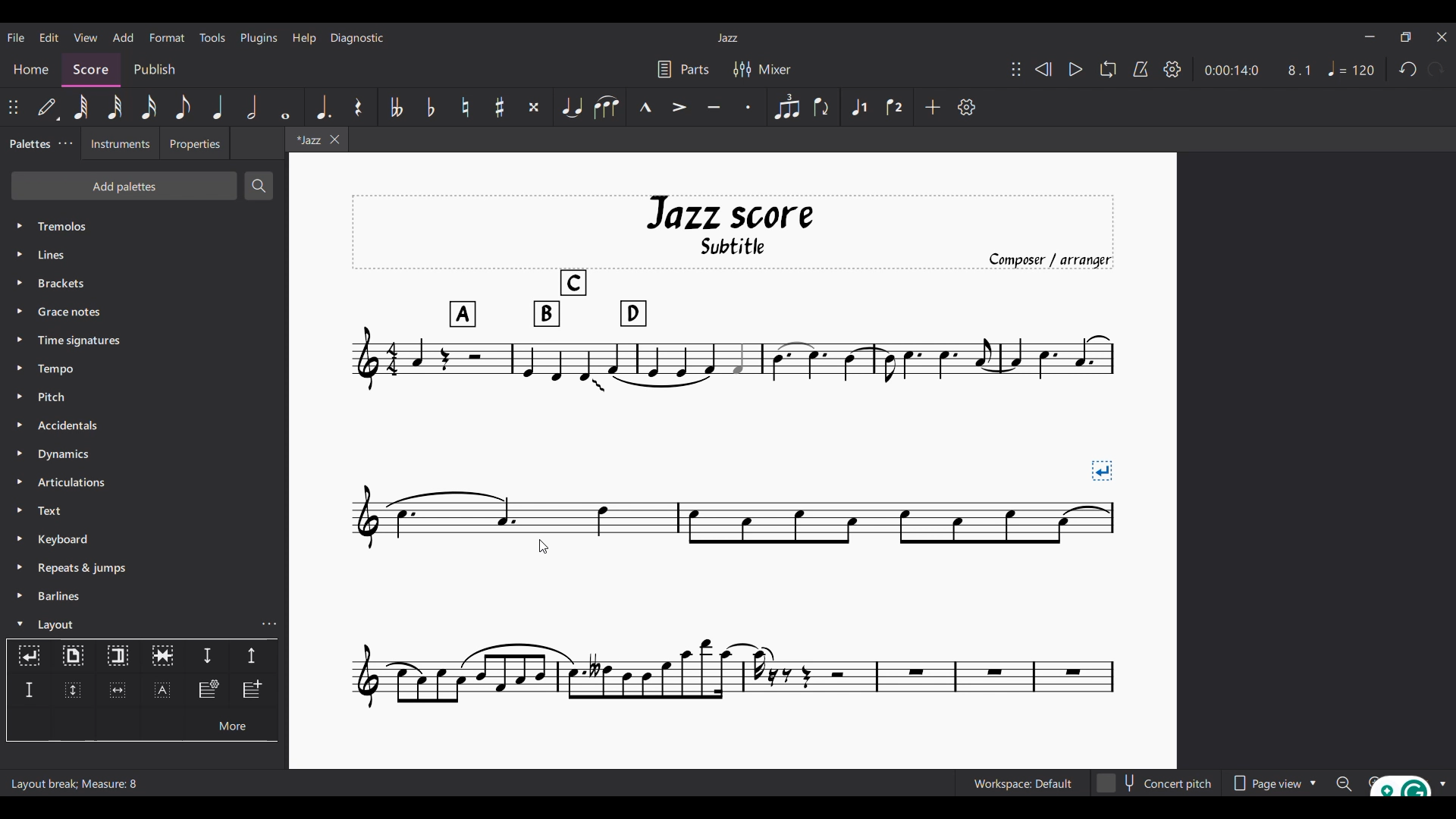  I want to click on Minimize, so click(1370, 36).